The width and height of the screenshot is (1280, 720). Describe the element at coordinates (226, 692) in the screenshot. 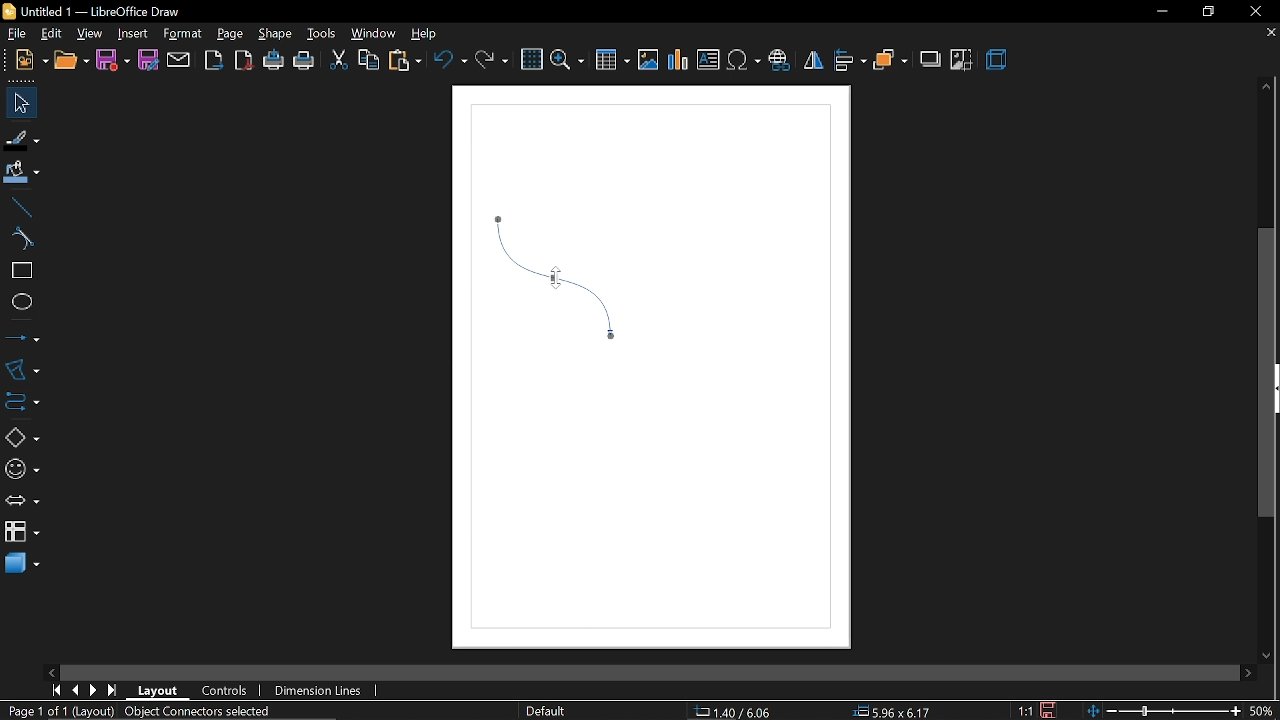

I see `controls` at that location.